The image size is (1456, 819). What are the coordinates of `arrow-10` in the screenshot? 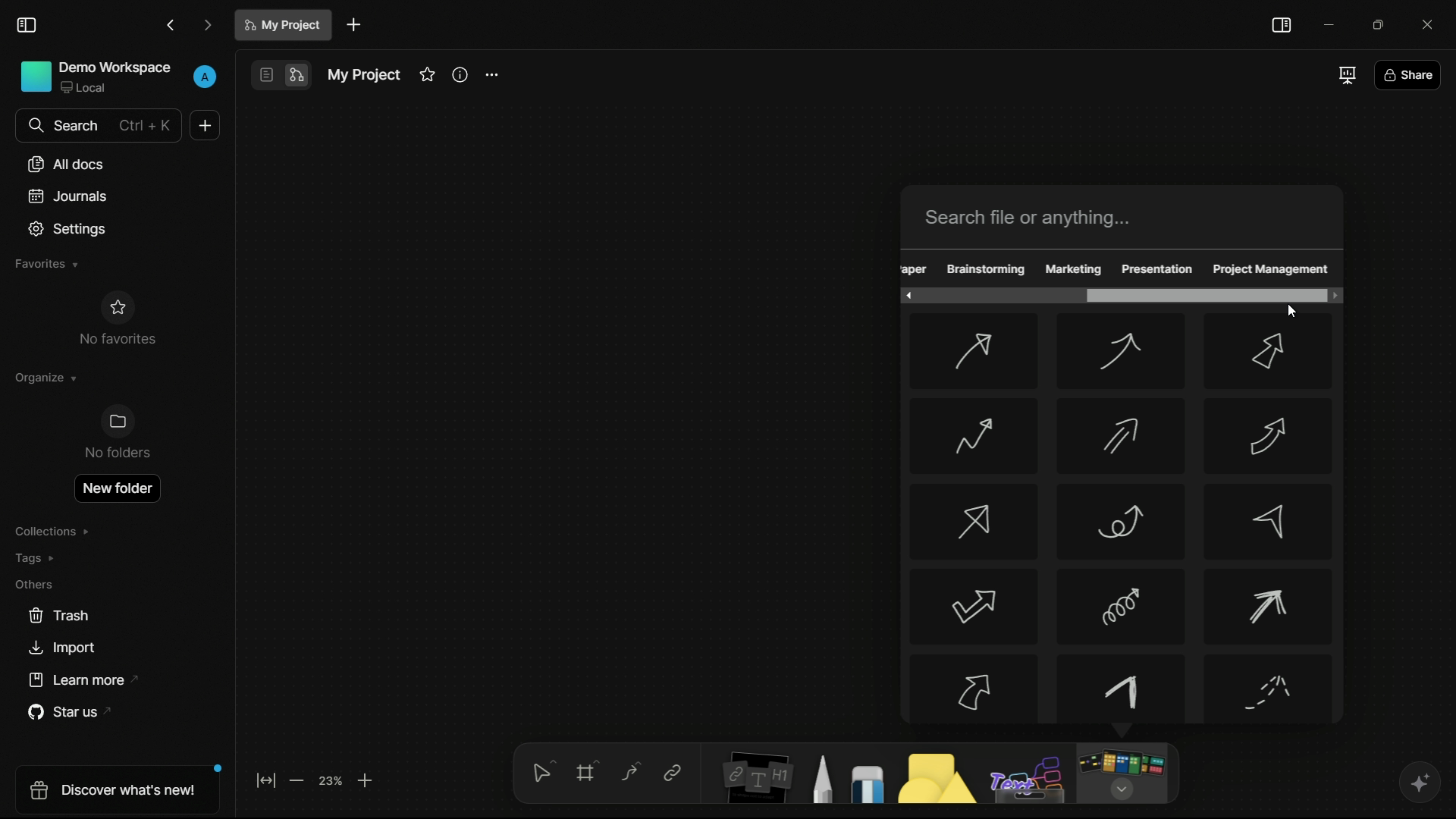 It's located at (972, 607).